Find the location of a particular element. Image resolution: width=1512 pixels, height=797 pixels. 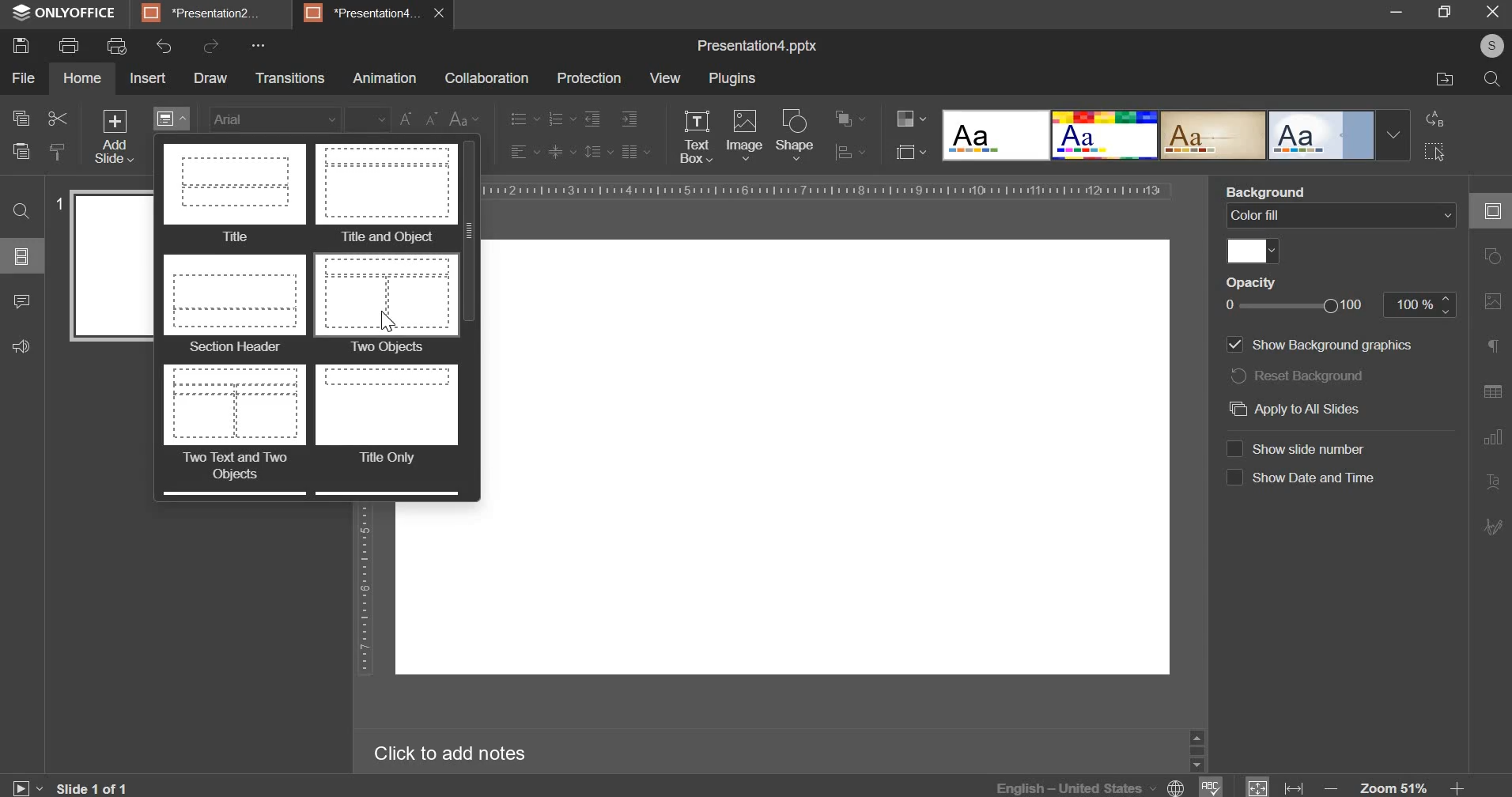

title & object is located at coordinates (385, 194).